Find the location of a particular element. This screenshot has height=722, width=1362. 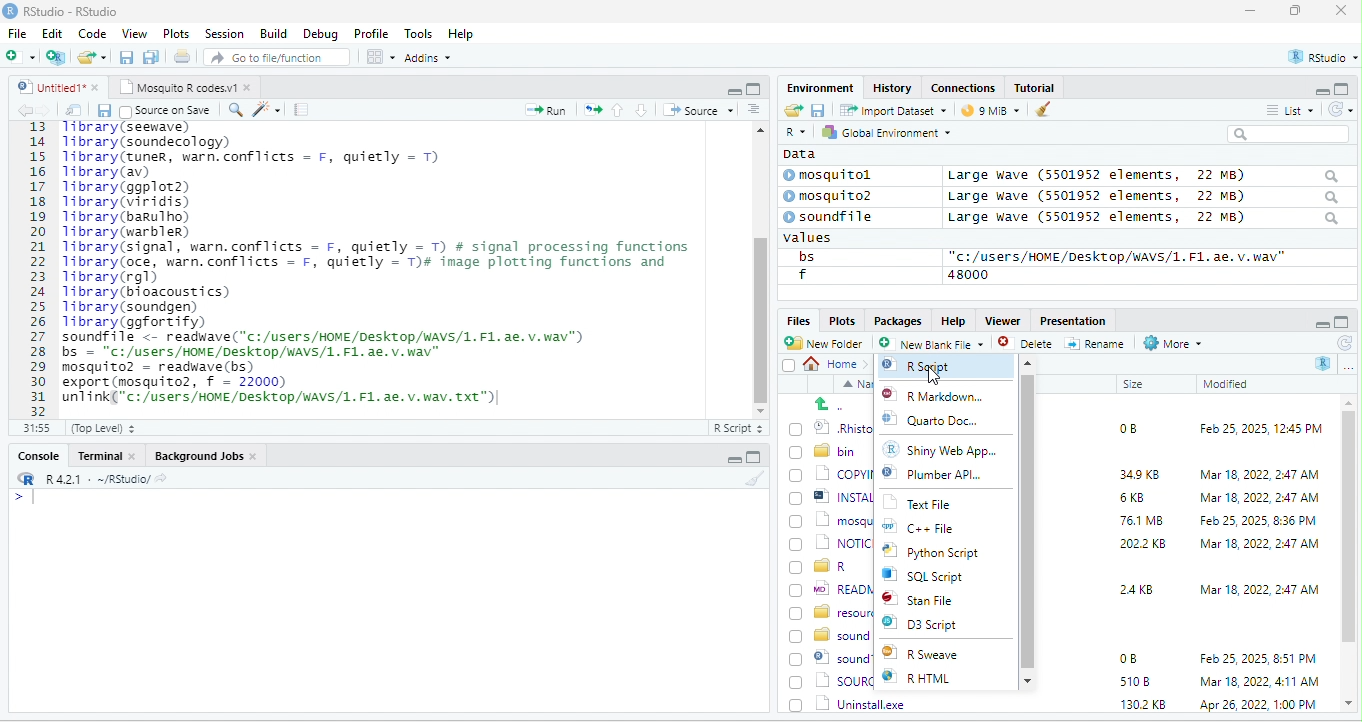

maximize is located at coordinates (1344, 88).